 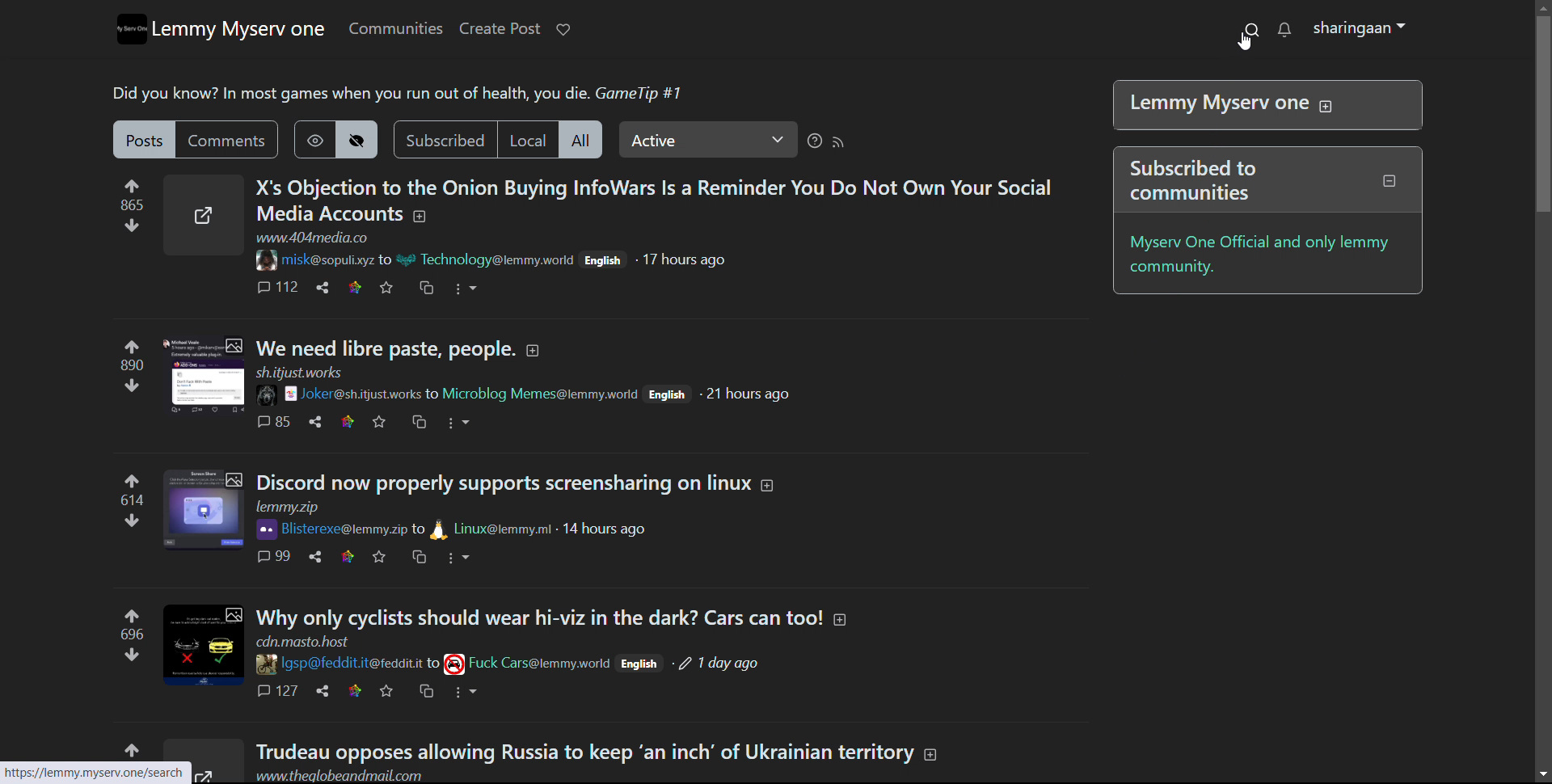 What do you see at coordinates (399, 92) in the screenshot?
I see `Did you know? In most games when you run out of health, you die. GameTip #1` at bounding box center [399, 92].